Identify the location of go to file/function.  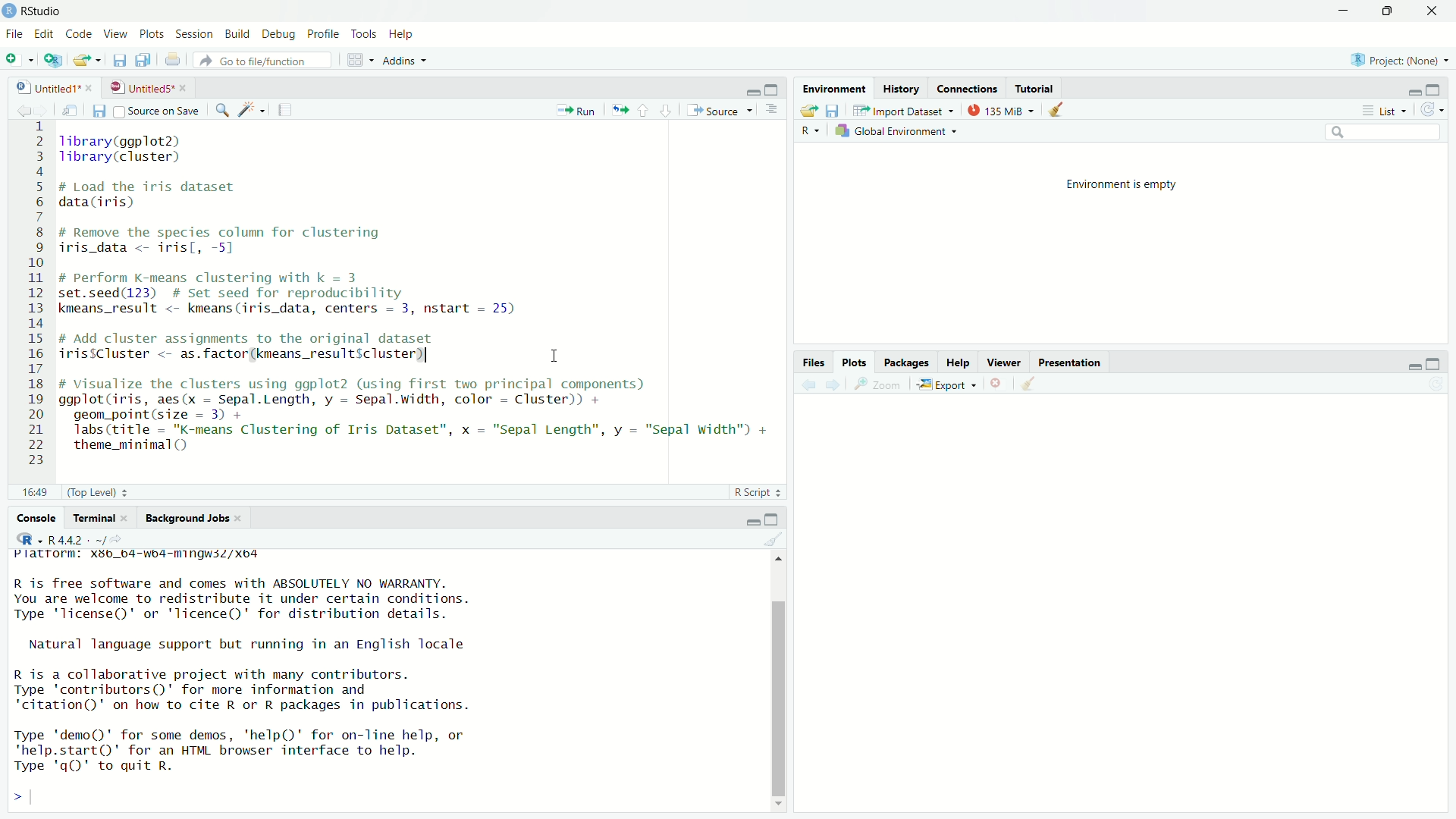
(263, 60).